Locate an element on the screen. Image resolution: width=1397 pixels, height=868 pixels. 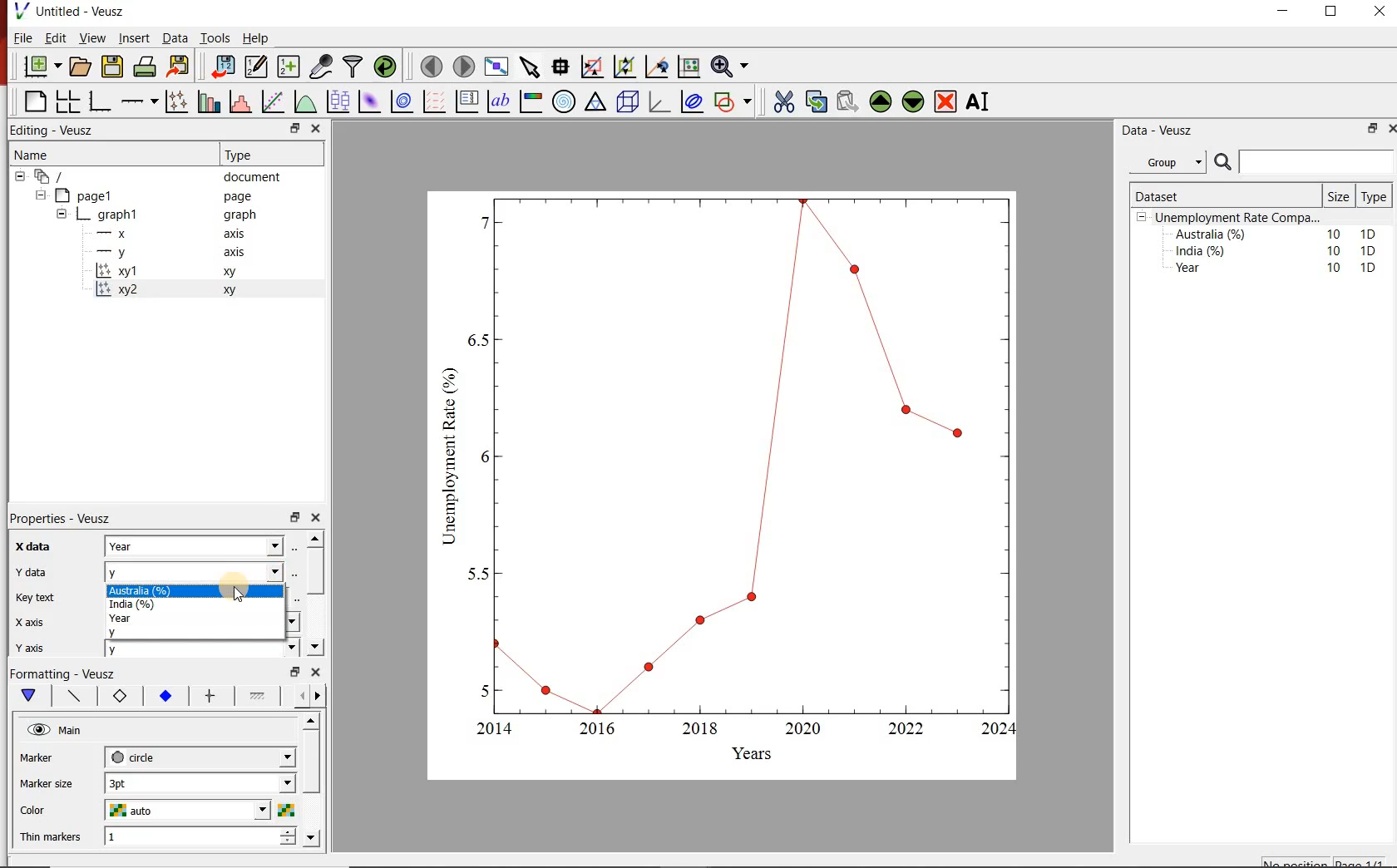
year is located at coordinates (195, 619).